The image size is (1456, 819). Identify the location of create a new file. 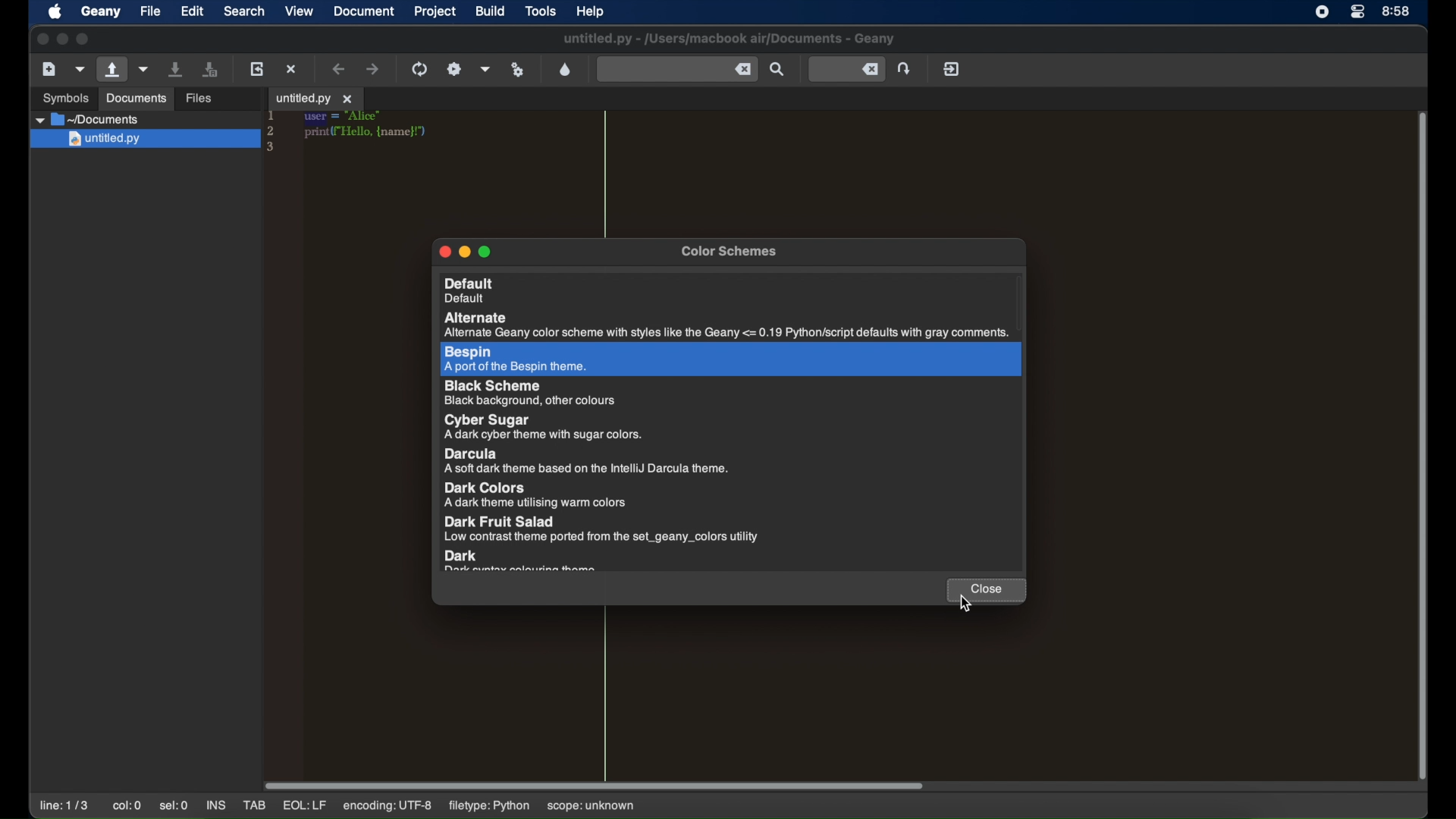
(49, 68).